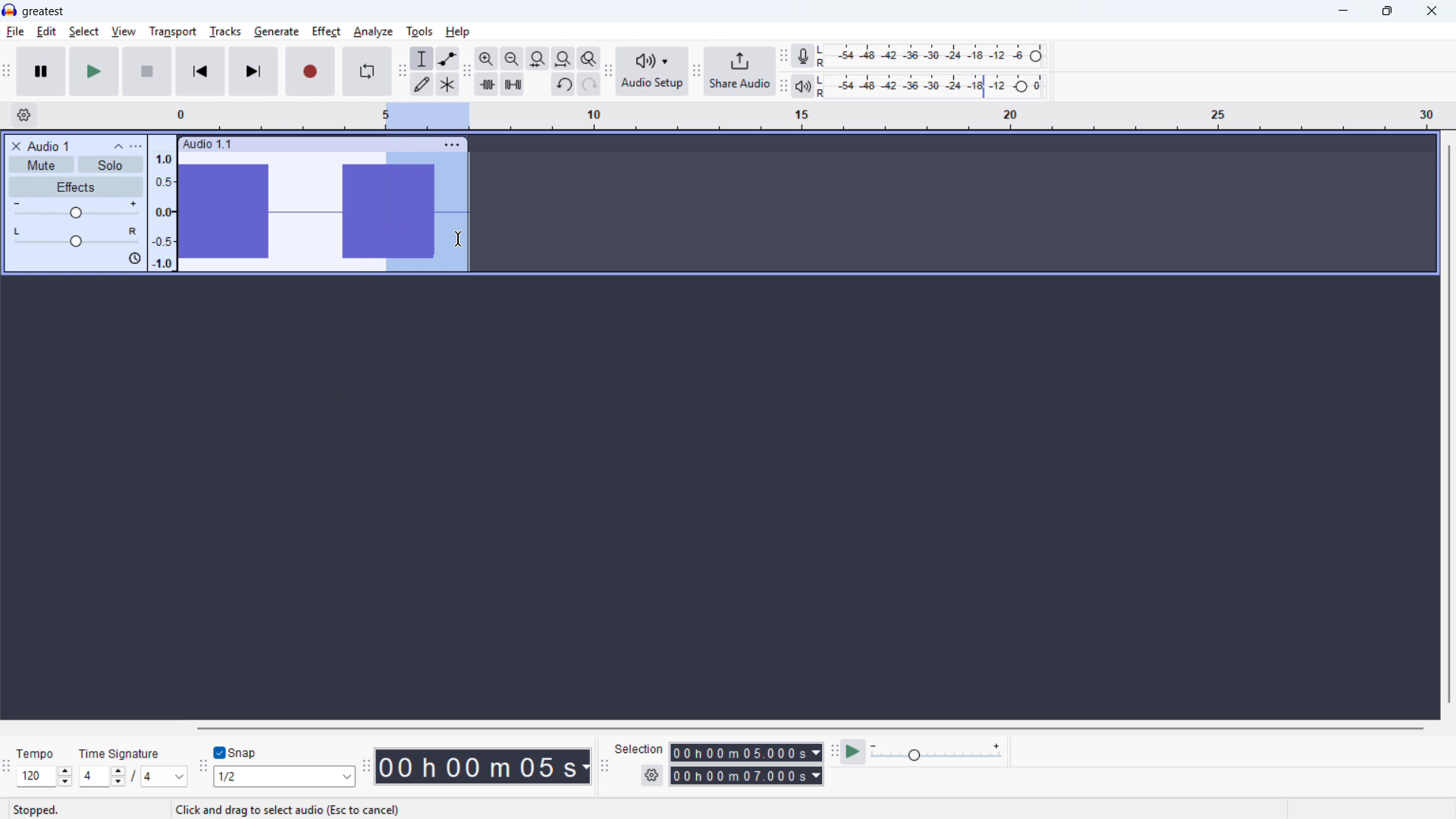 Image resolution: width=1456 pixels, height=819 pixels. Describe the element at coordinates (49, 146) in the screenshot. I see `Audio 1` at that location.